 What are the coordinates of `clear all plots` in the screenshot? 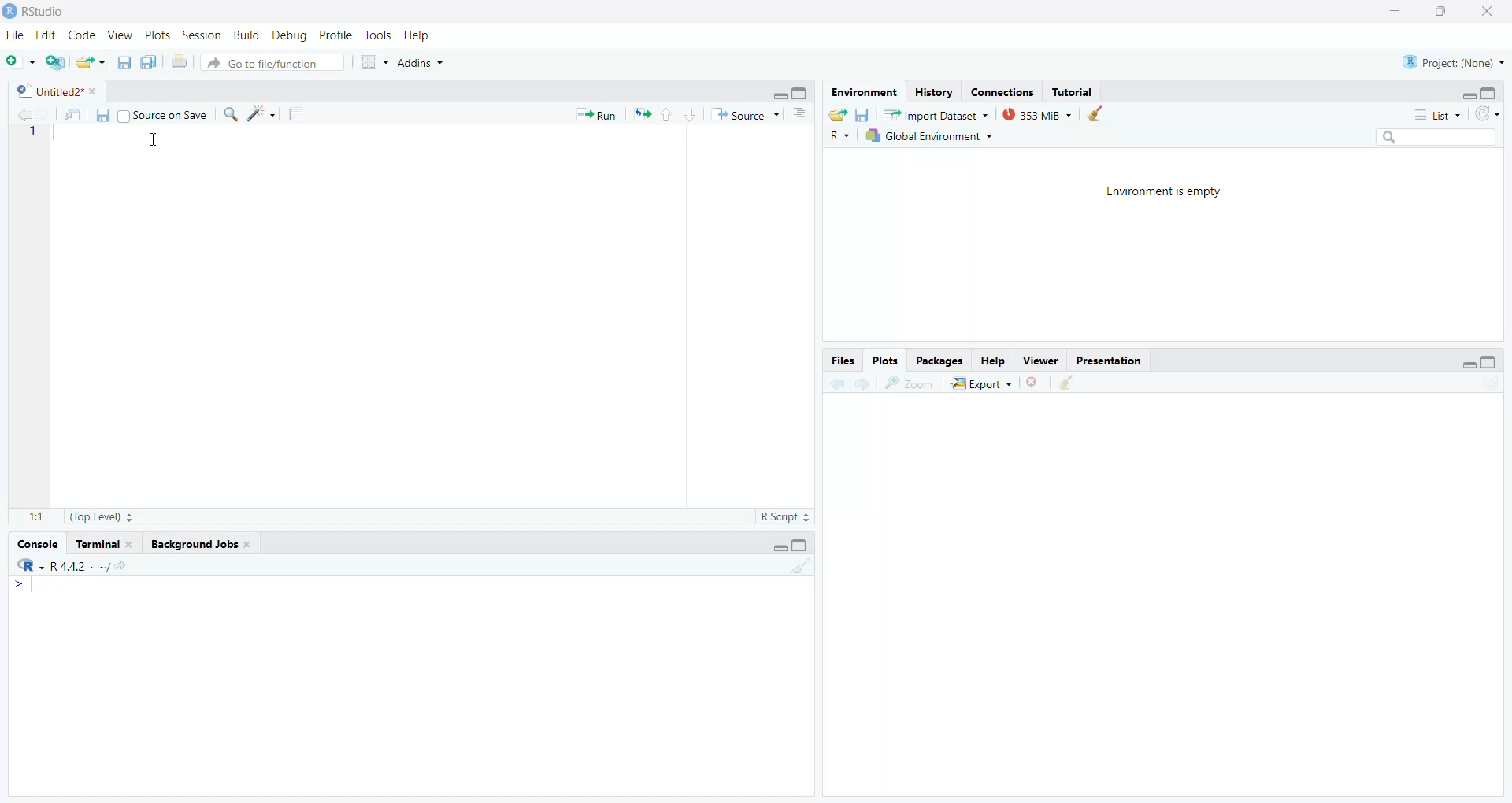 It's located at (1070, 385).